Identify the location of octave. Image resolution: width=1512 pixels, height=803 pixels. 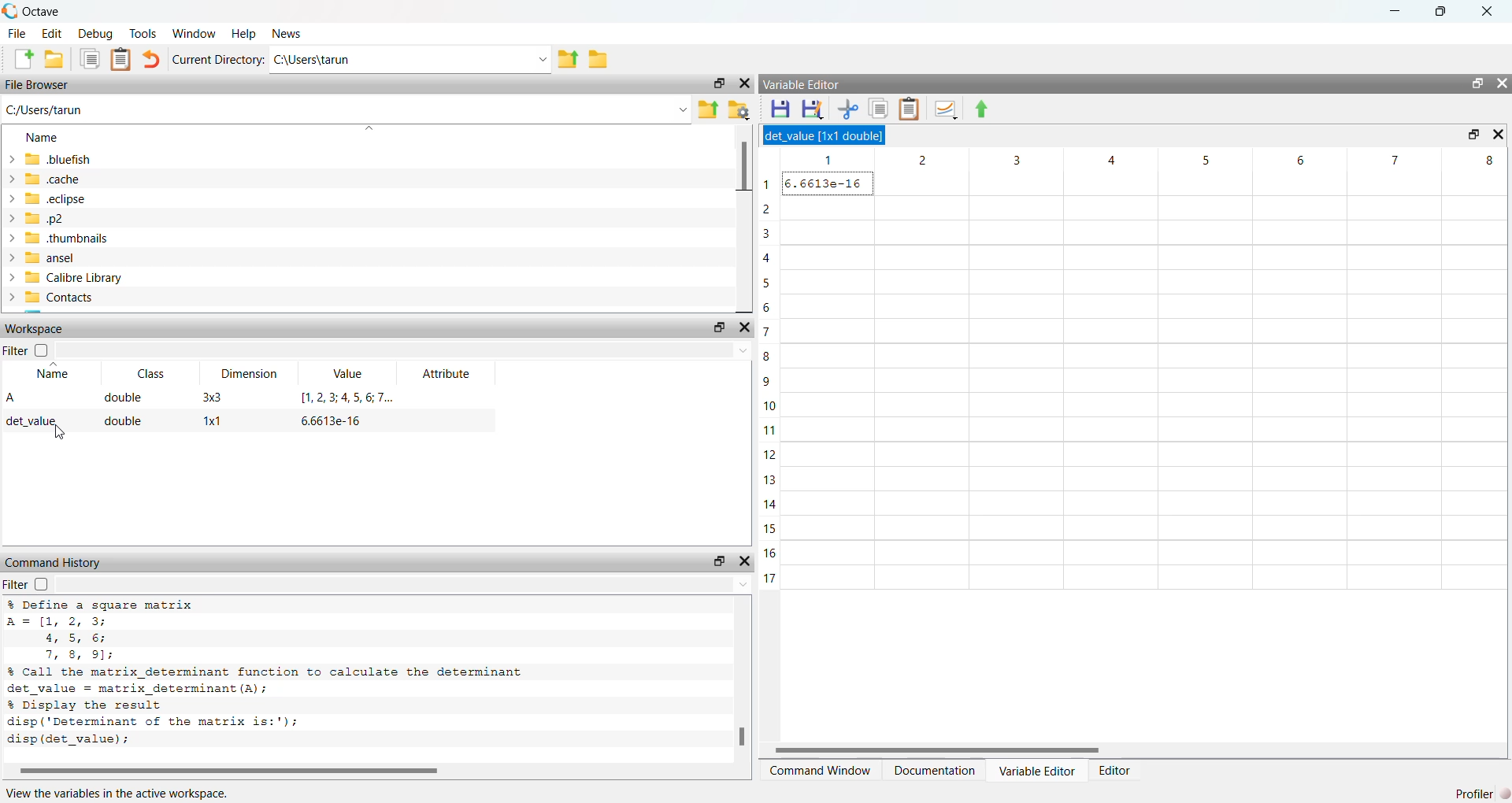
(31, 12).